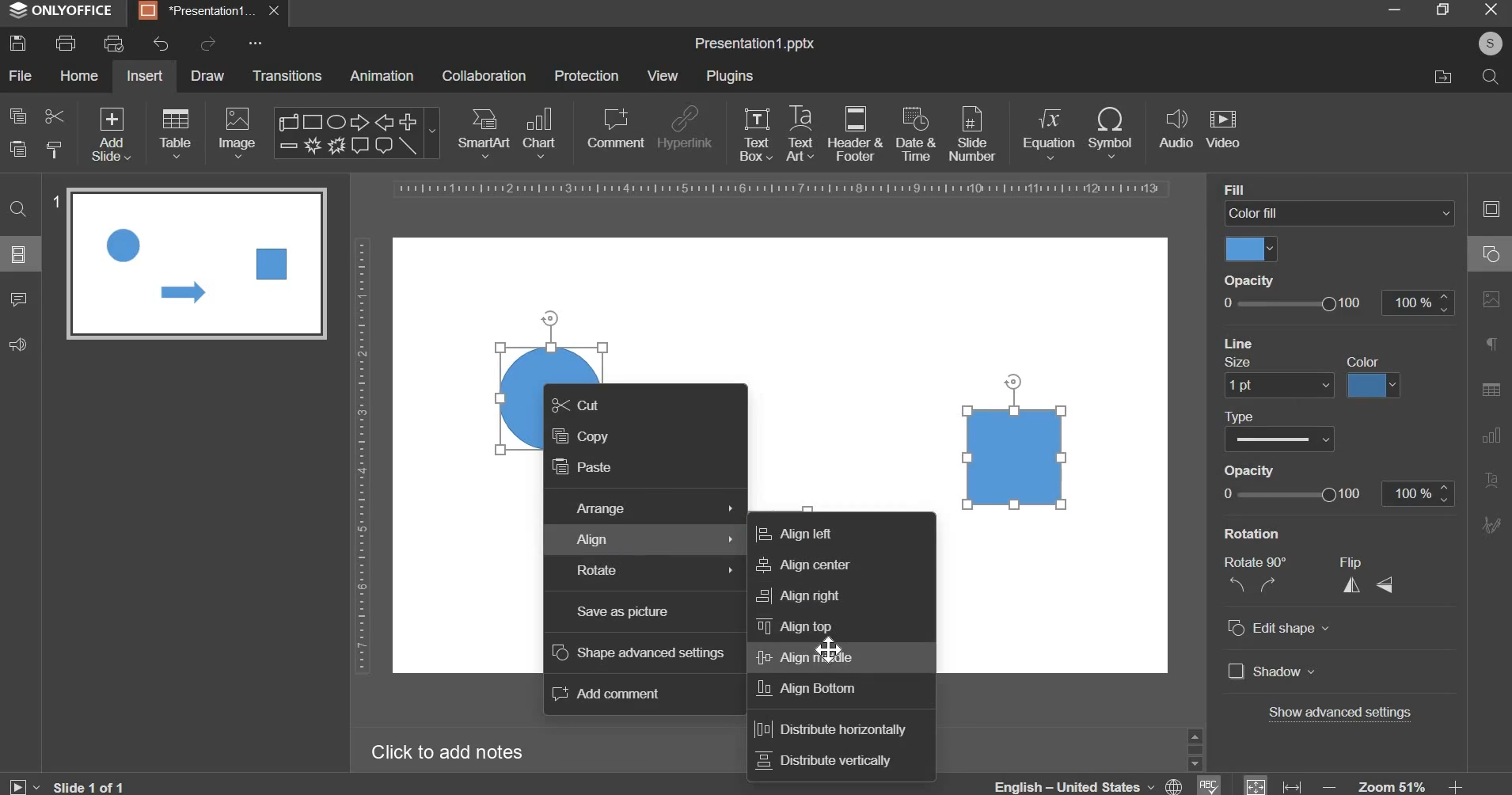  What do you see at coordinates (827, 730) in the screenshot?
I see `distribute horizontally` at bounding box center [827, 730].